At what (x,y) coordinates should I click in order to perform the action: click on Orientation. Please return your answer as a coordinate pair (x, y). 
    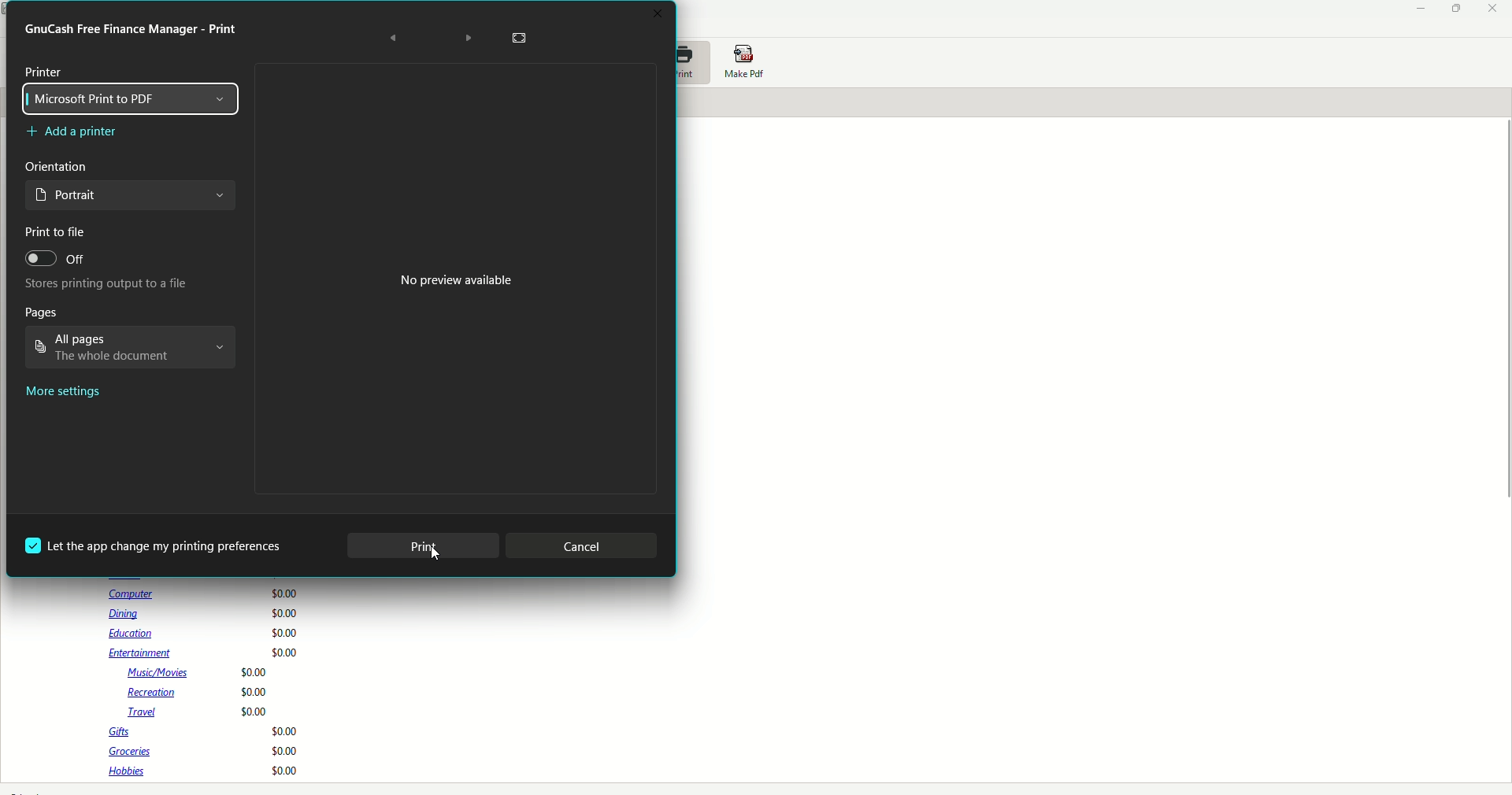
    Looking at the image, I should click on (60, 168).